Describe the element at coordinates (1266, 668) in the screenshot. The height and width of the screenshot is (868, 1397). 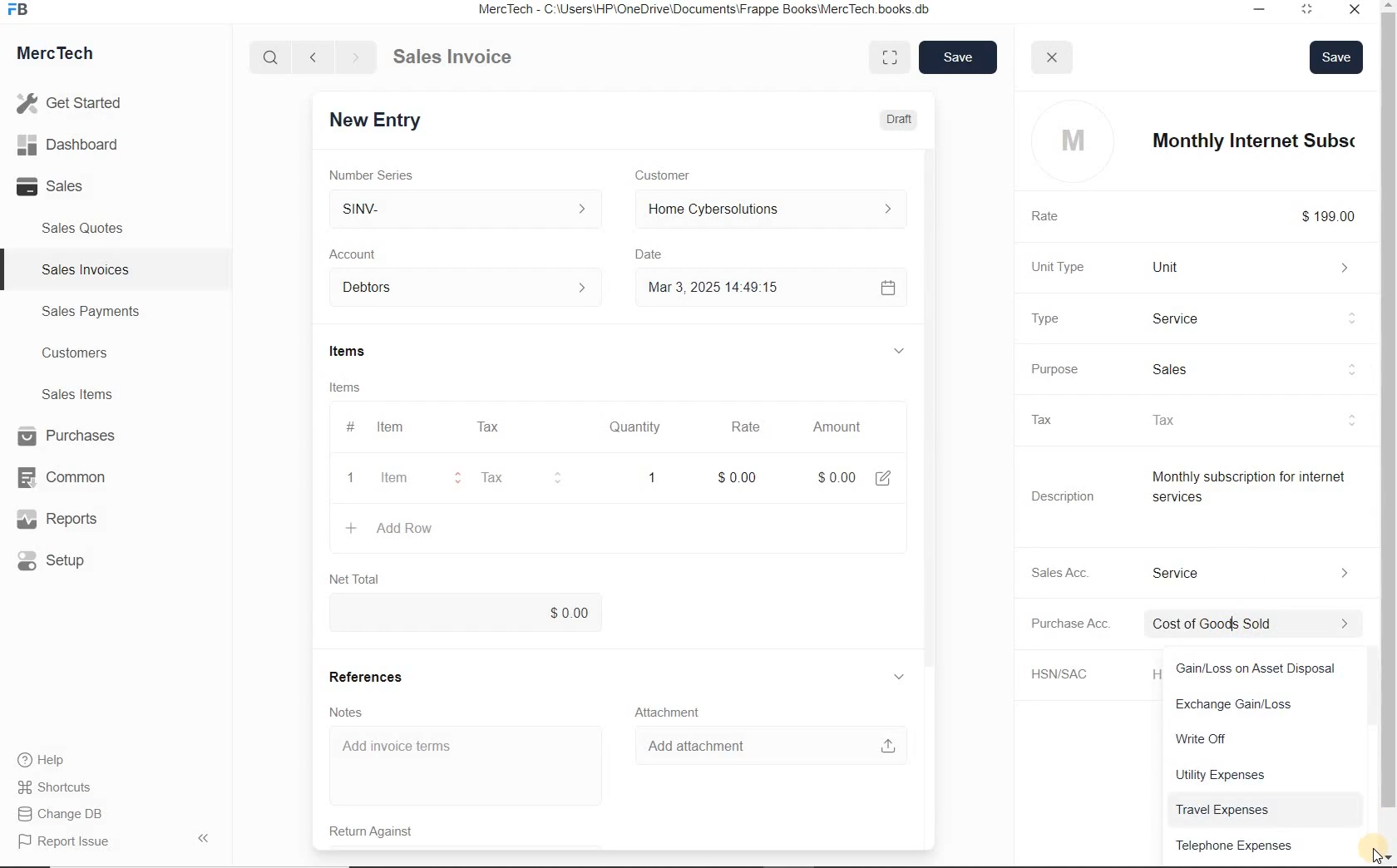
I see `Gain/Loss on Asset Disposal` at that location.